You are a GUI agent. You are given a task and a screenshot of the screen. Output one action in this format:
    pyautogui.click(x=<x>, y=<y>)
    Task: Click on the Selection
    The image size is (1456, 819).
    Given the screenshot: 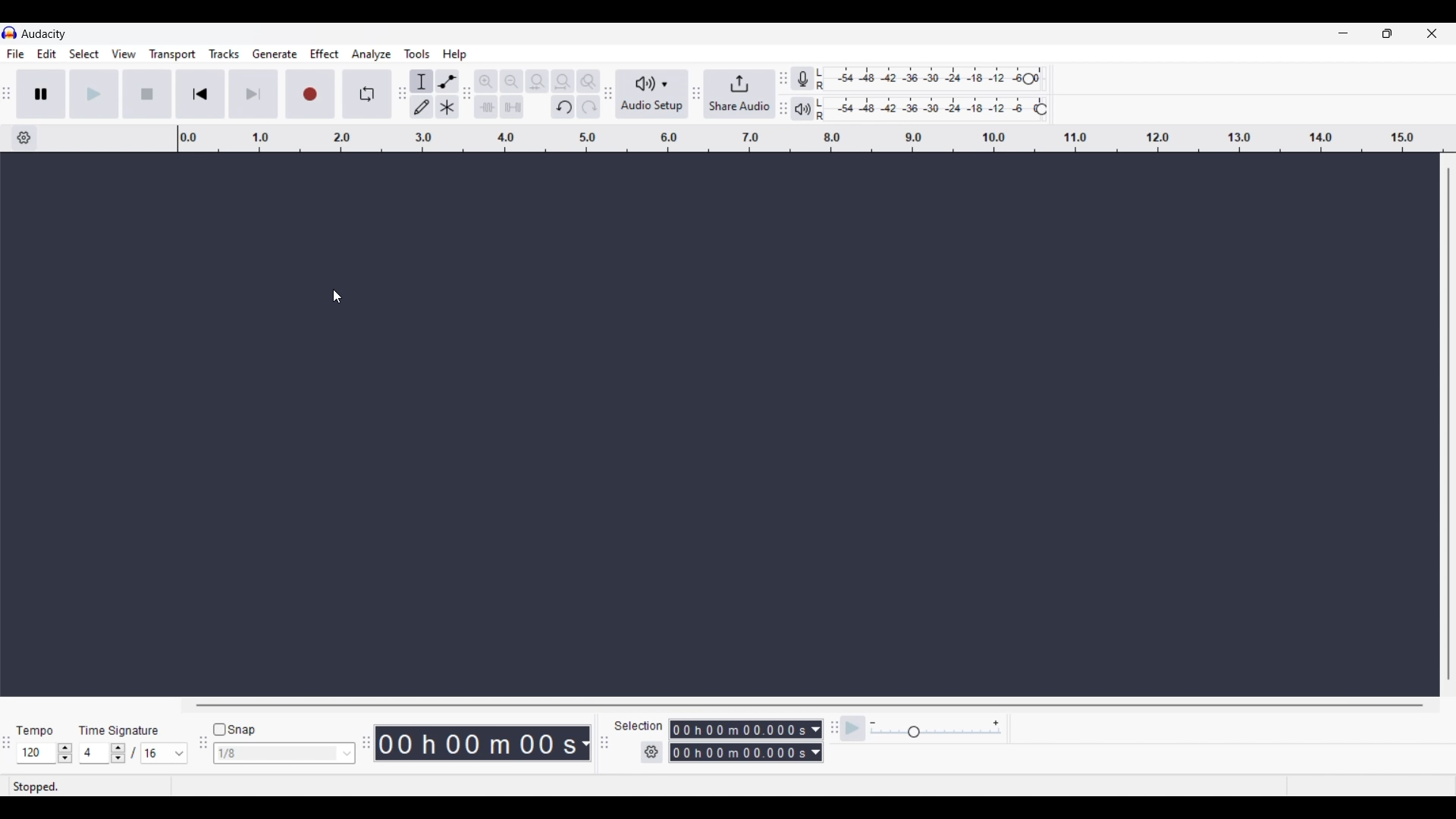 What is the action you would take?
    pyautogui.click(x=637, y=726)
    